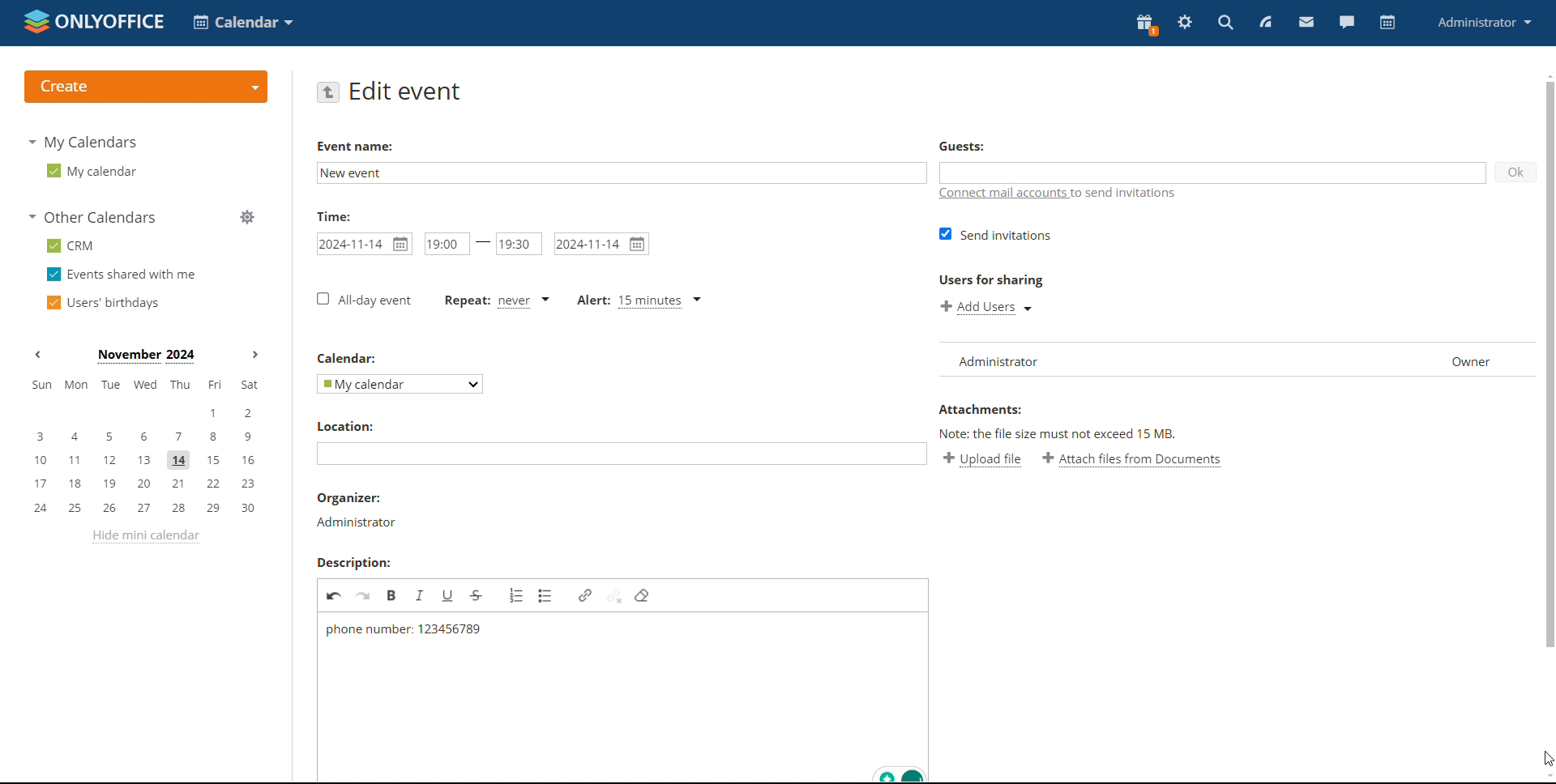 This screenshot has width=1556, height=784. I want to click on scroll bar, so click(1546, 369).